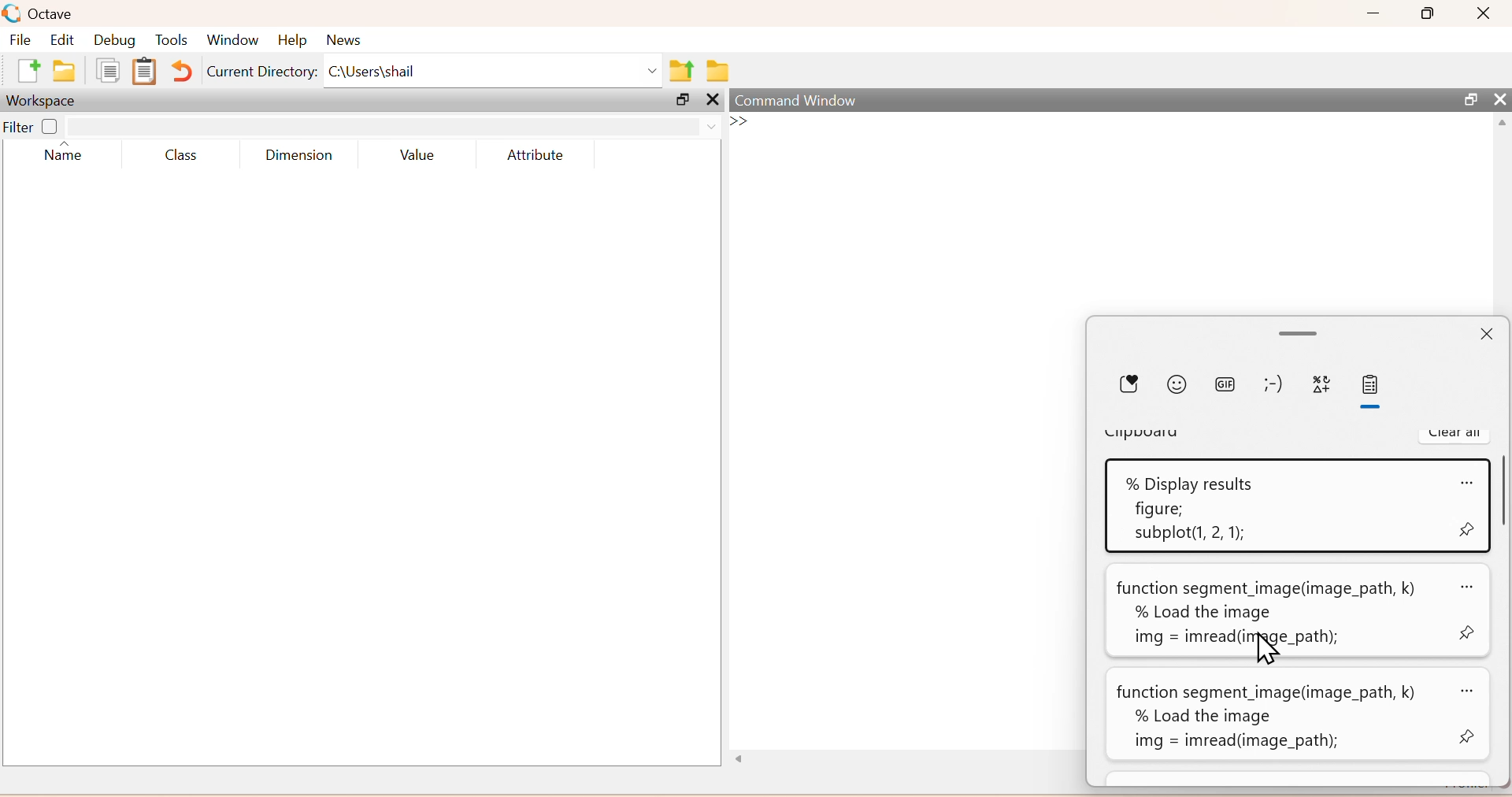  Describe the element at coordinates (797, 99) in the screenshot. I see `Command Window` at that location.